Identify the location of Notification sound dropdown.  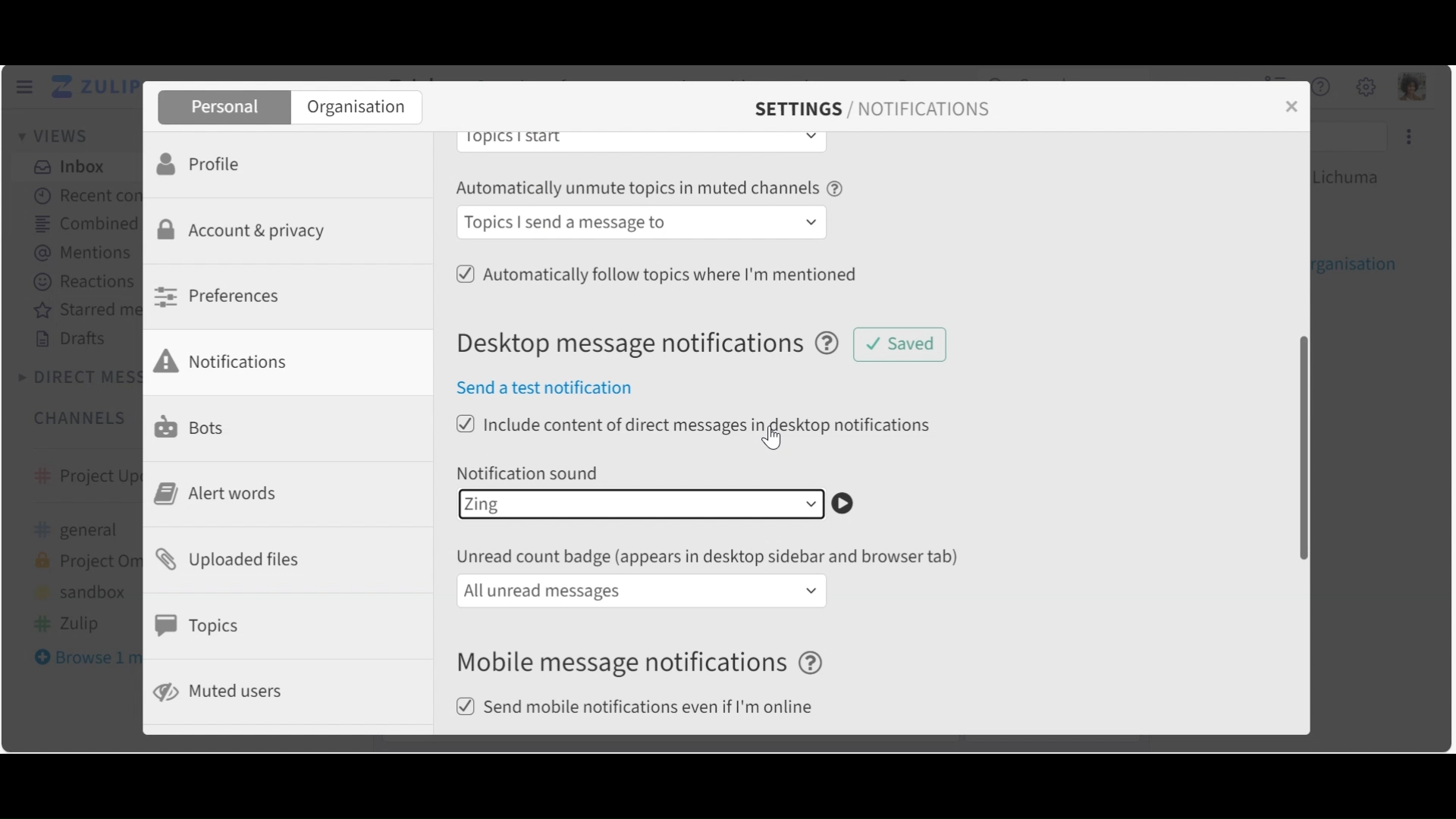
(639, 504).